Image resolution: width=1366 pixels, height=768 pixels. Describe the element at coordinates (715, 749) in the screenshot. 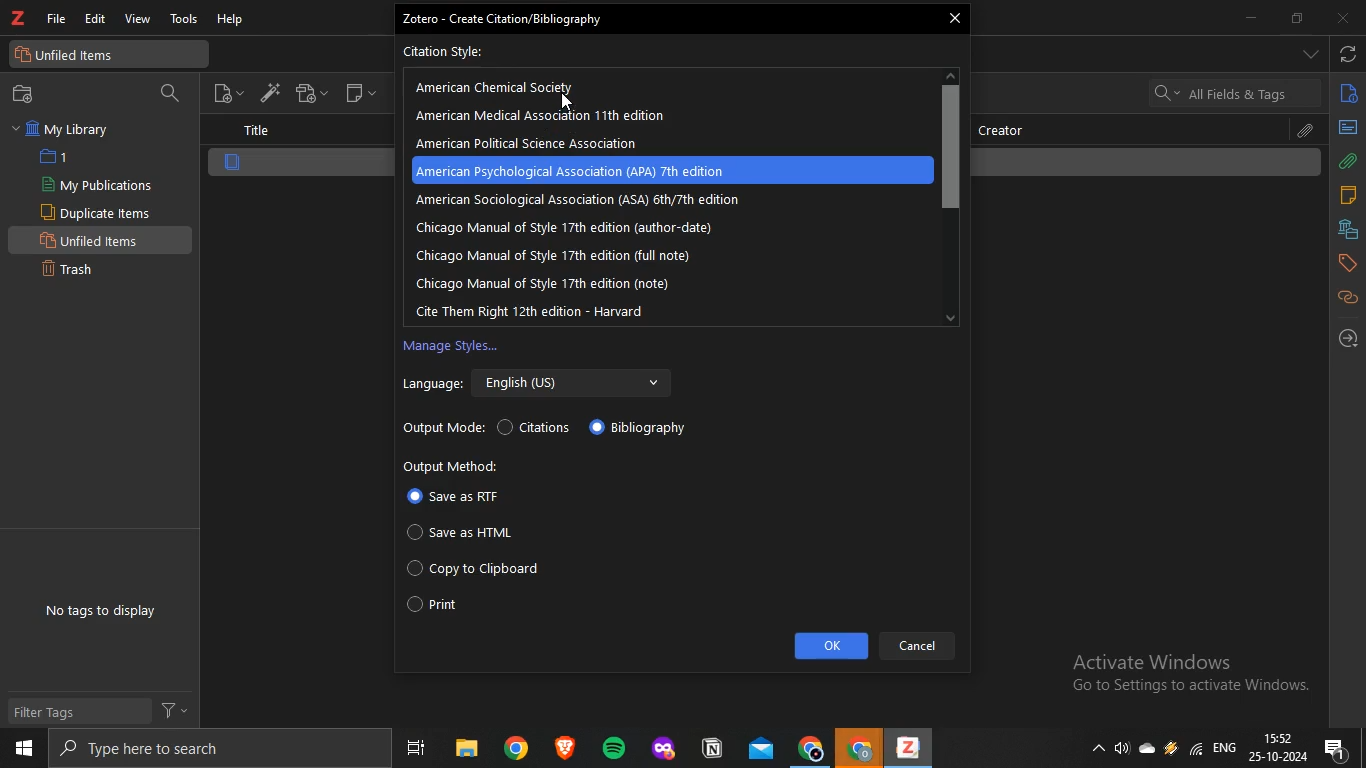

I see `application` at that location.